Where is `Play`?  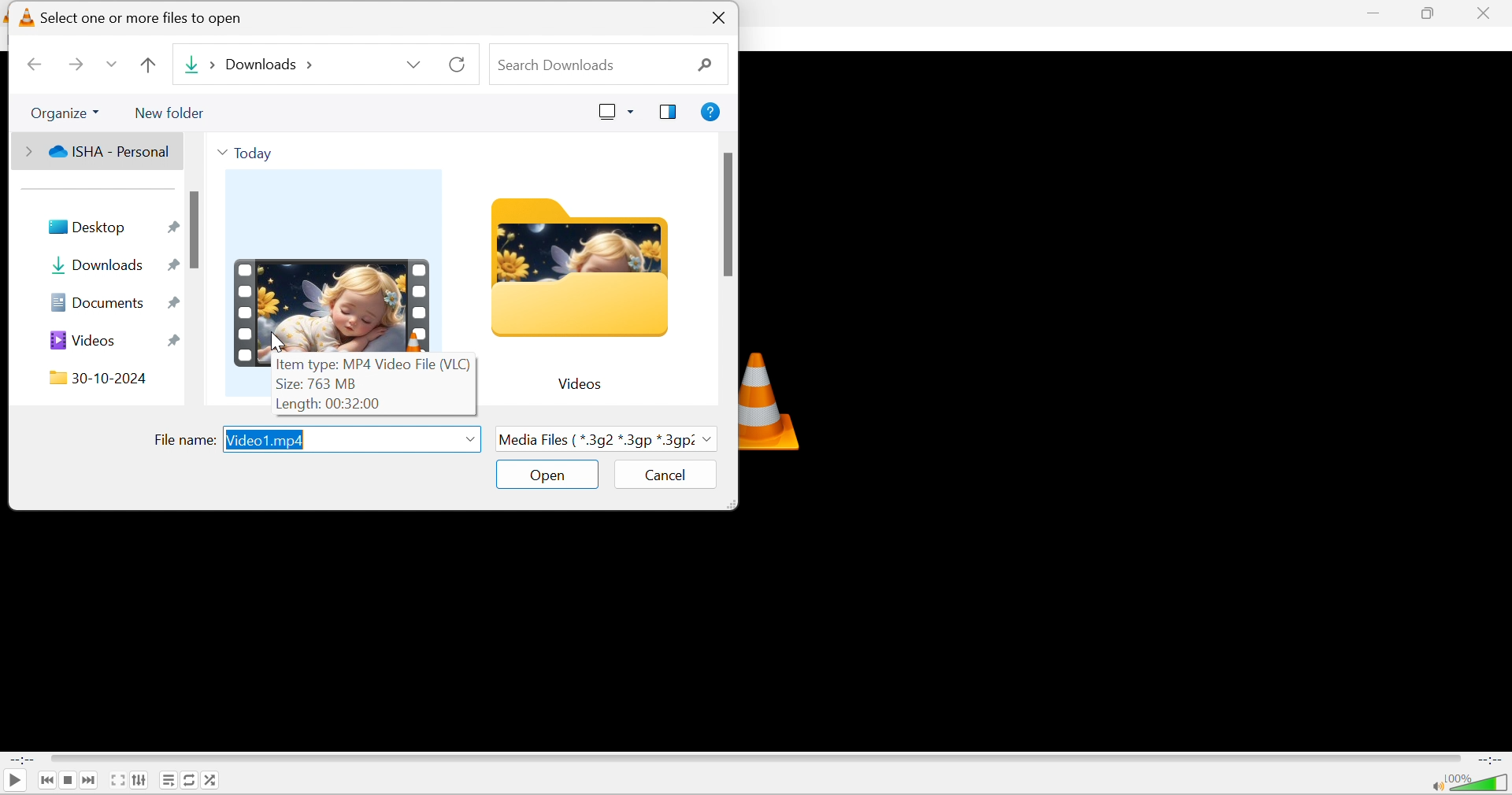 Play is located at coordinates (13, 782).